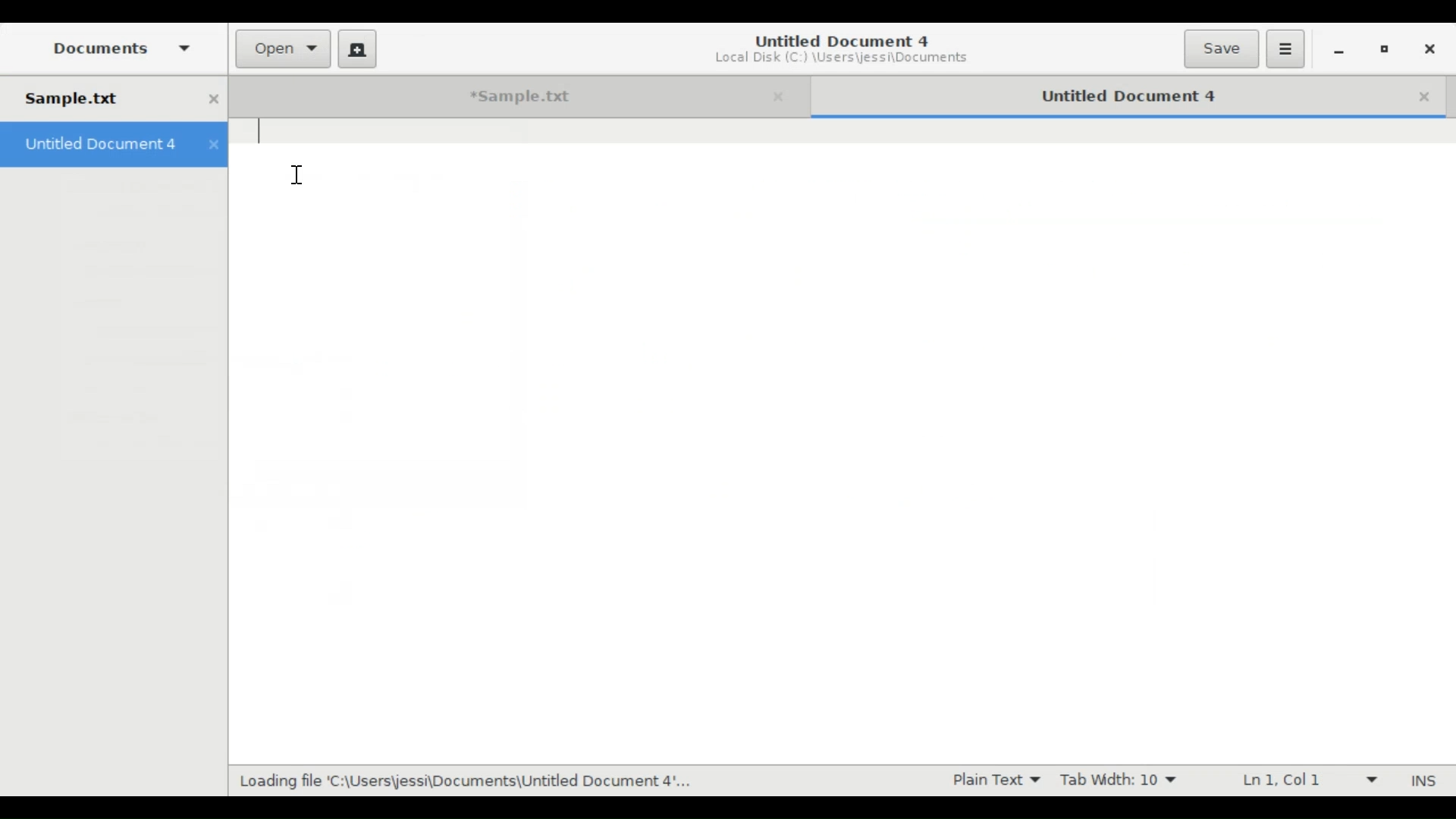  I want to click on INS, so click(1426, 780).